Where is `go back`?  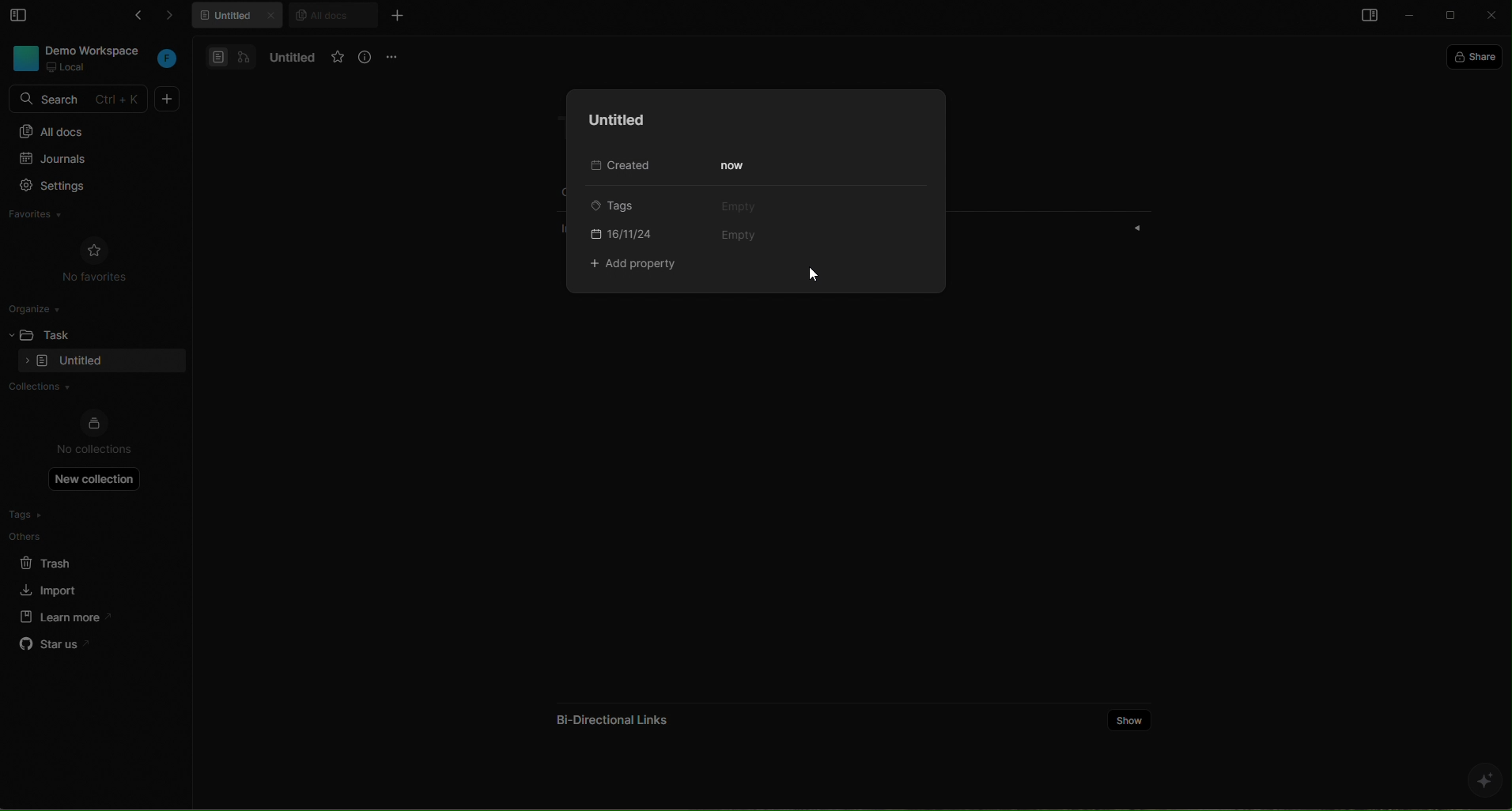
go back is located at coordinates (134, 18).